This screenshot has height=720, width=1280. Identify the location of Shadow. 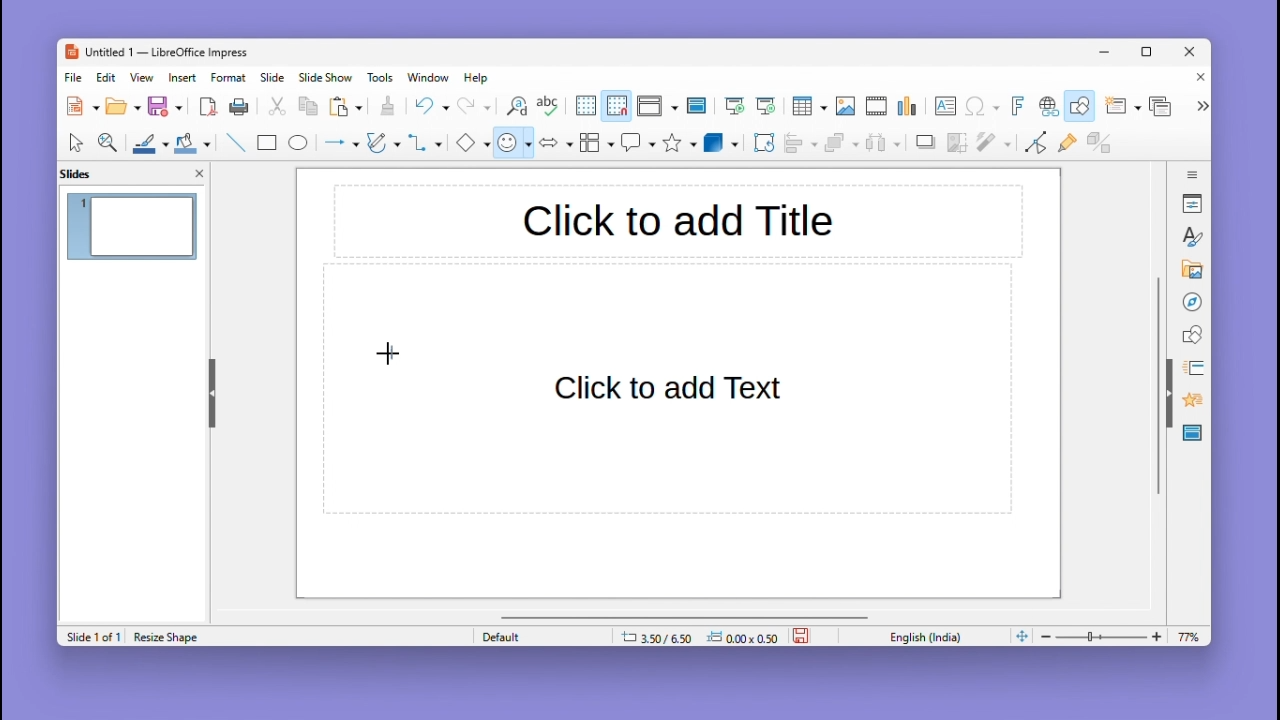
(926, 146).